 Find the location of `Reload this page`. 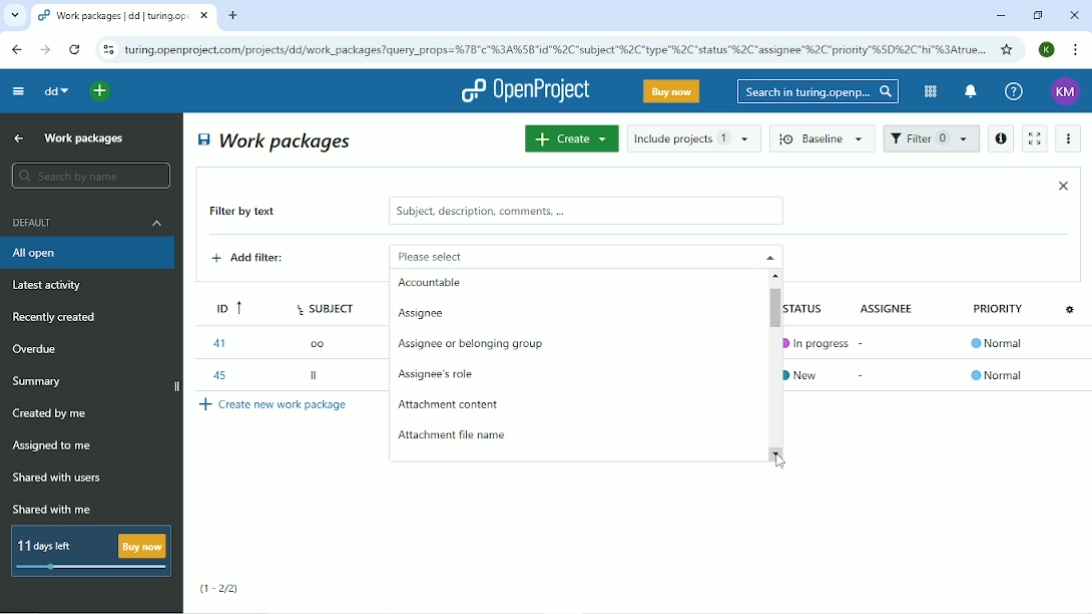

Reload this page is located at coordinates (74, 49).